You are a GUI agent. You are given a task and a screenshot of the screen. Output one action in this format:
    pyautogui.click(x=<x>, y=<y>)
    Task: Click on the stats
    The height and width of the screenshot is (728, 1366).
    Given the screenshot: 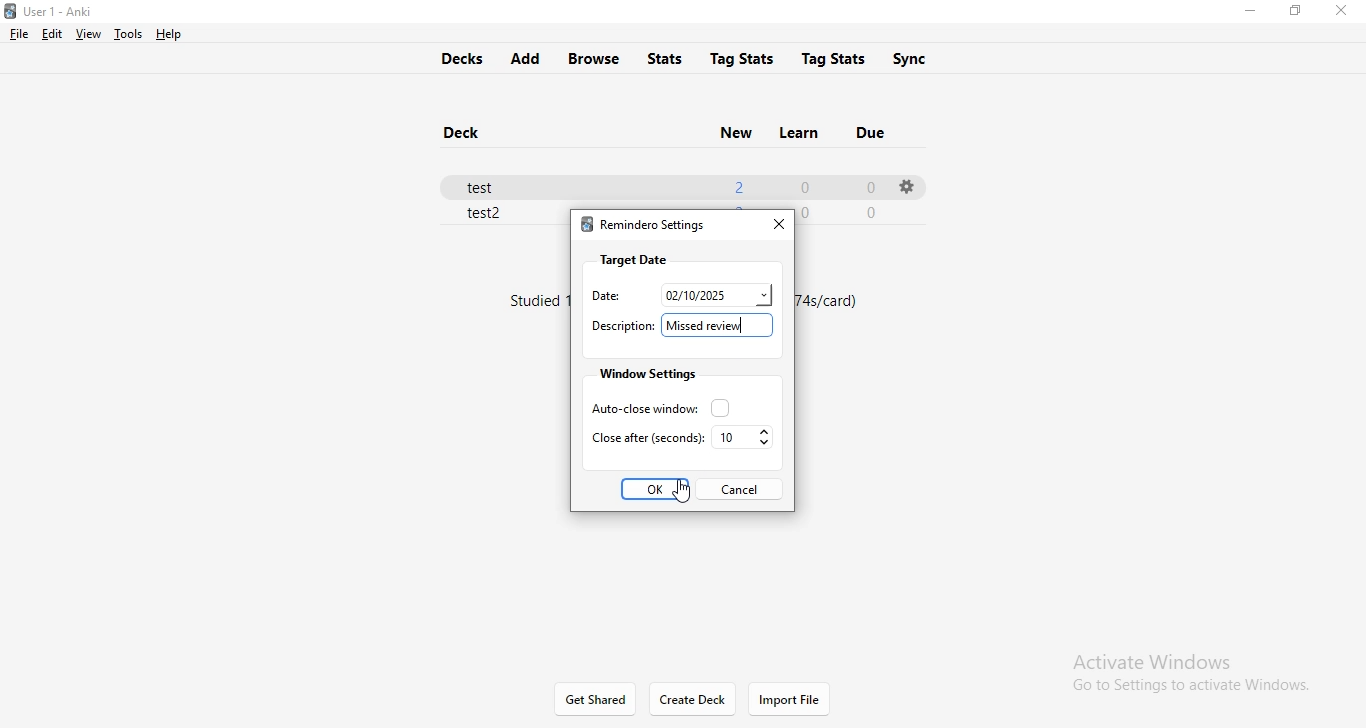 What is the action you would take?
    pyautogui.click(x=669, y=56)
    